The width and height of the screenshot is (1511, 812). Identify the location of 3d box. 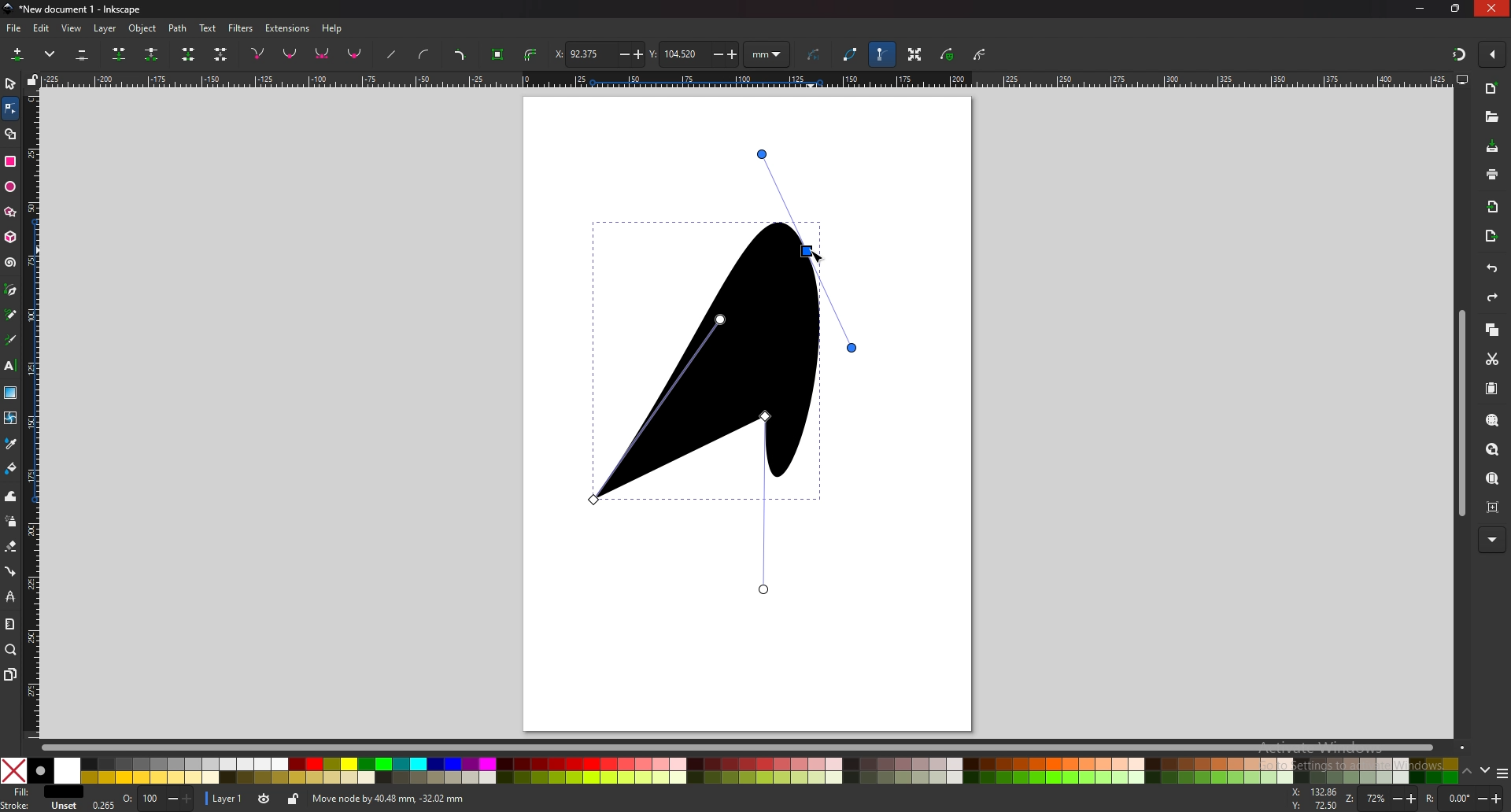
(12, 238).